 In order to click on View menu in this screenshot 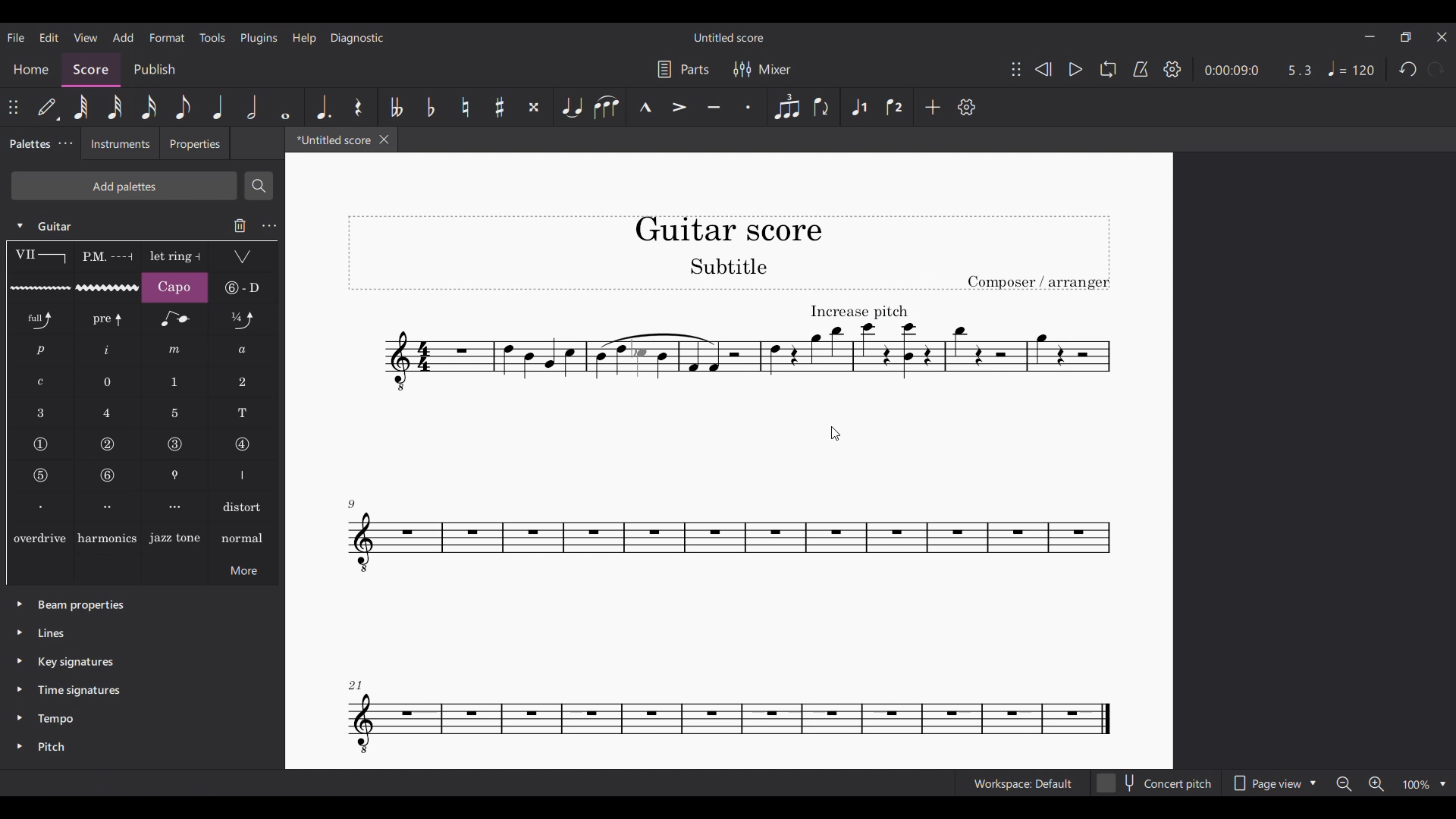, I will do `click(86, 38)`.